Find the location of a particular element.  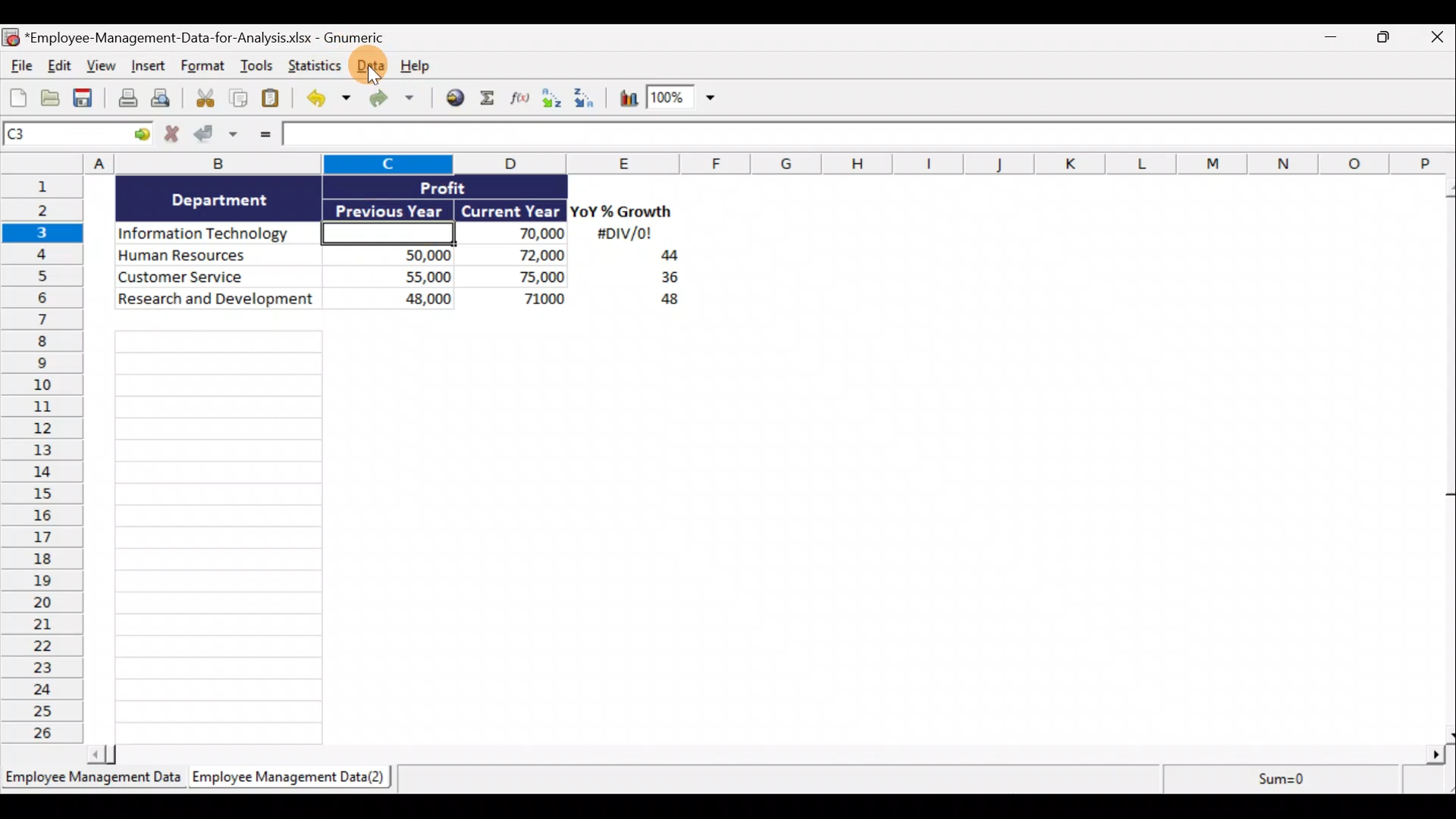

Cut selection is located at coordinates (204, 99).